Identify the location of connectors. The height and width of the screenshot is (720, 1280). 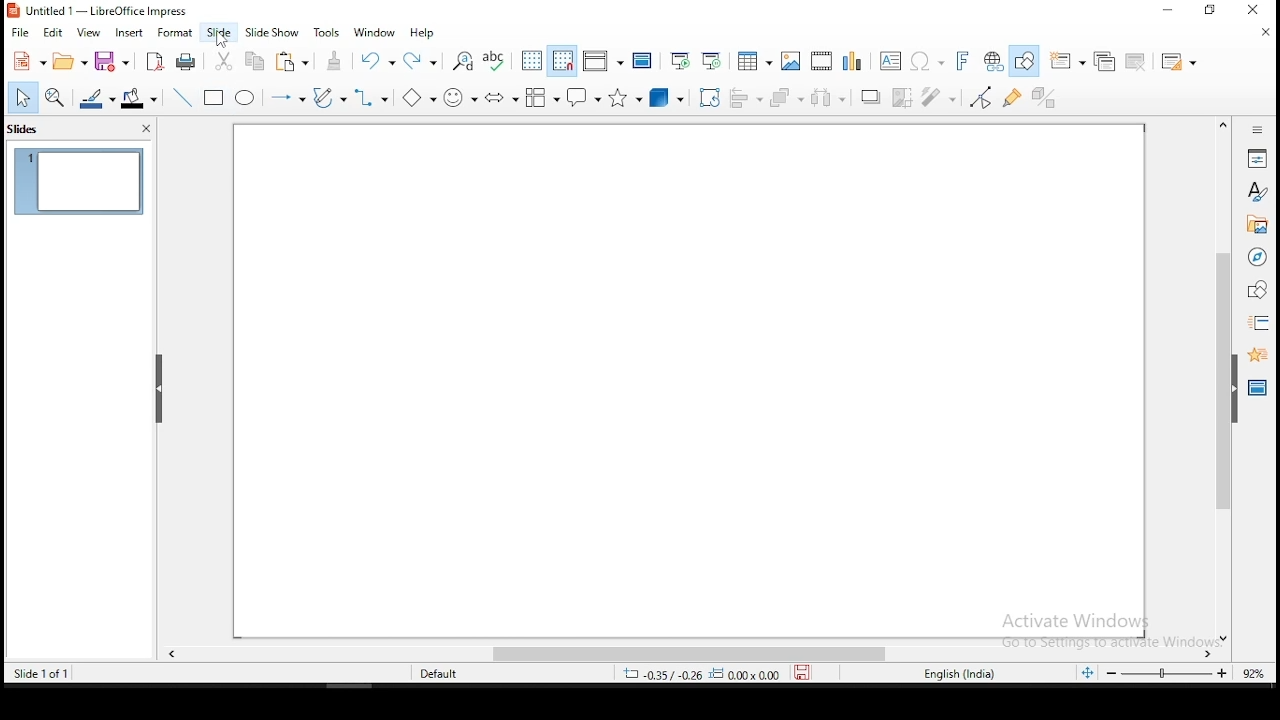
(372, 96).